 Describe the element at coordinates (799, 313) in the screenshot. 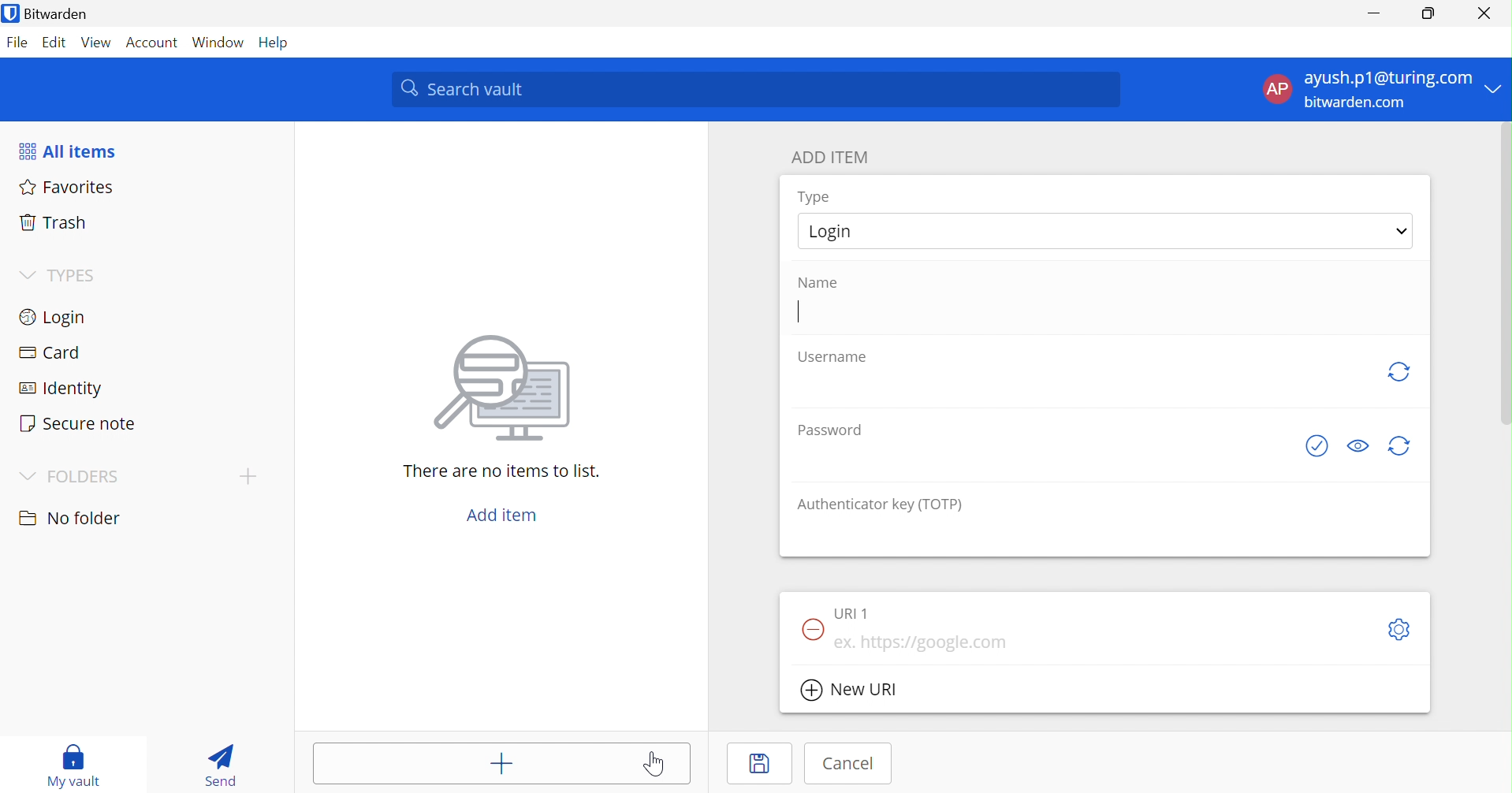

I see `Typing cursor` at that location.